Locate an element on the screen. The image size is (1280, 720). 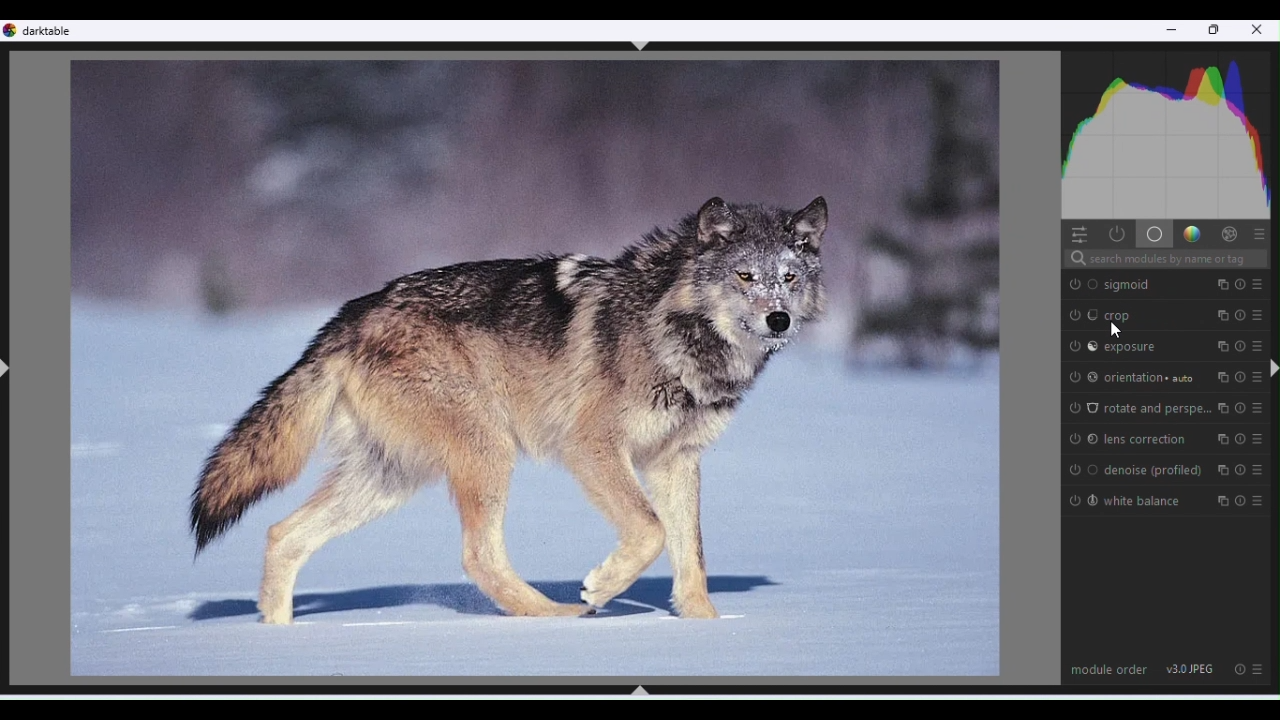
Dark table is located at coordinates (51, 30).